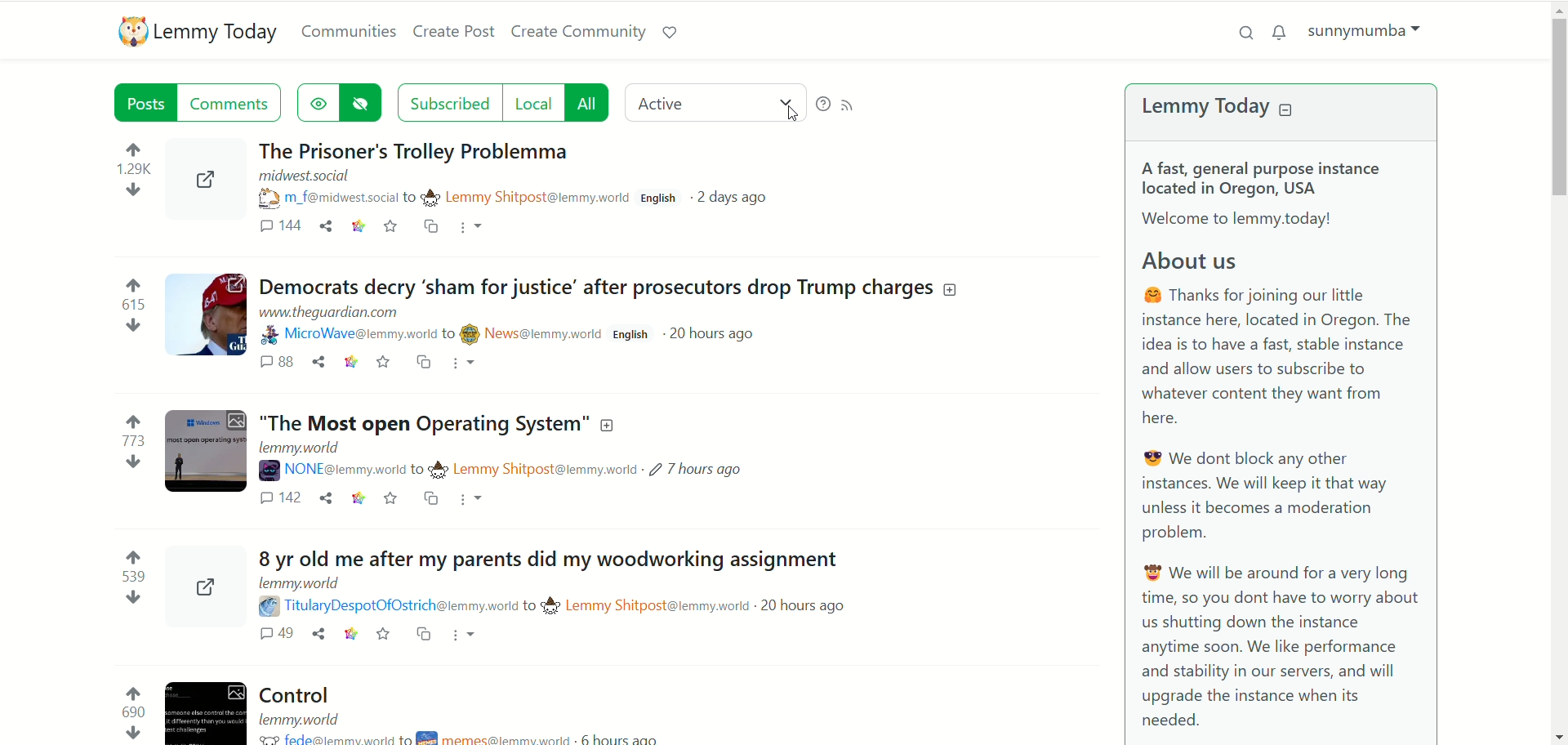 The width and height of the screenshot is (1568, 745). What do you see at coordinates (307, 694) in the screenshot?
I see `Control` at bounding box center [307, 694].